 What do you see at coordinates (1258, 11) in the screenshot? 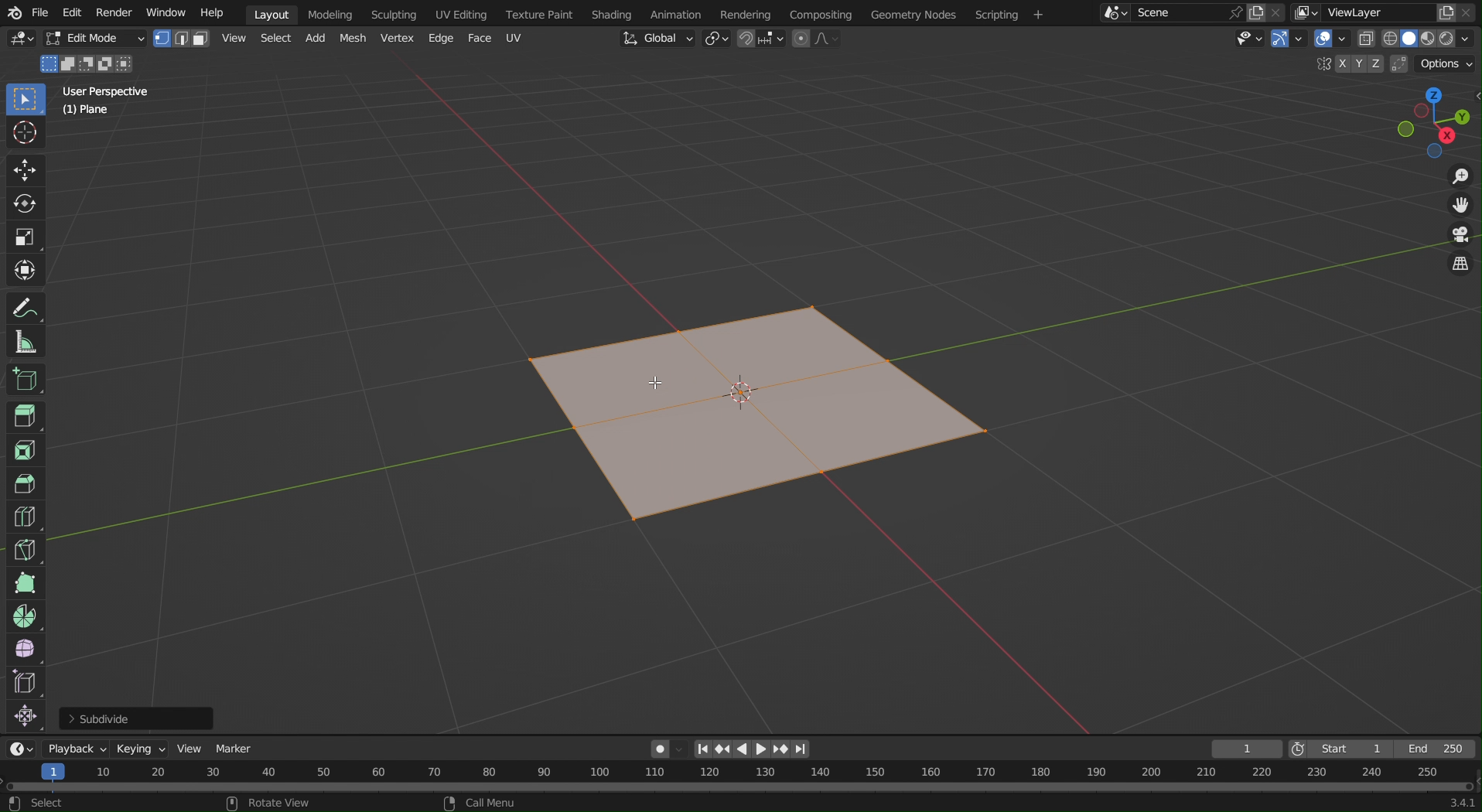
I see `copy` at bounding box center [1258, 11].